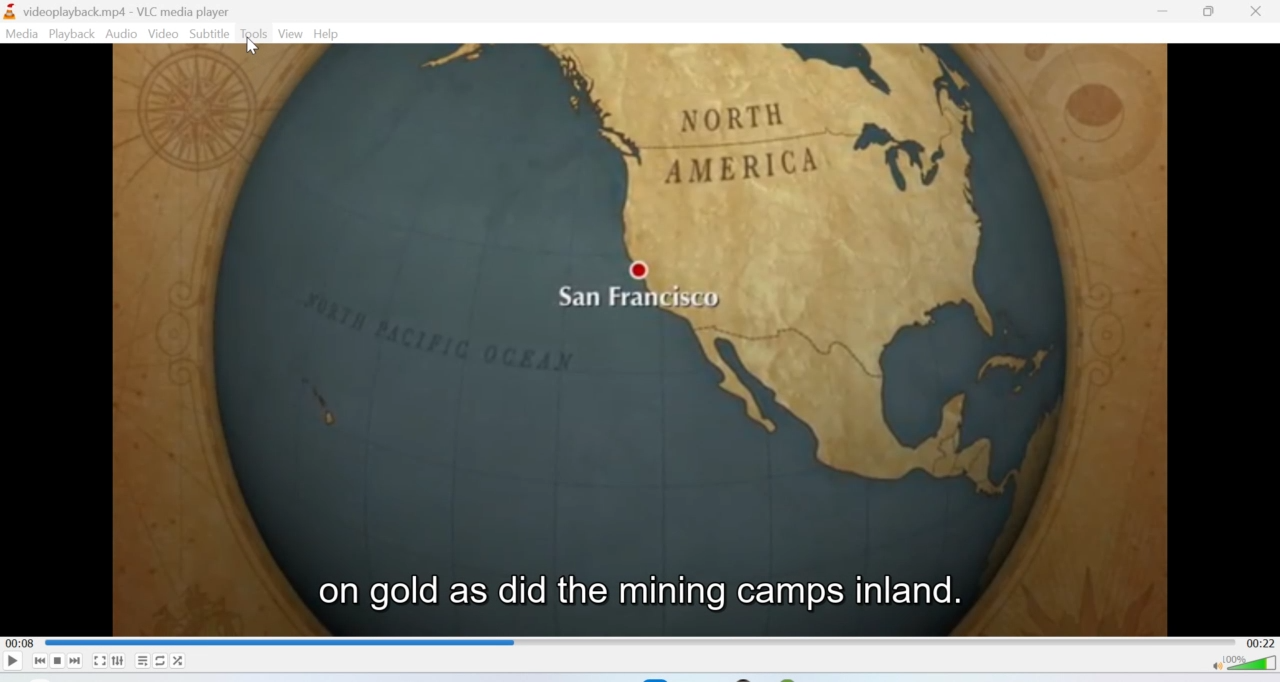 This screenshot has height=682, width=1280. Describe the element at coordinates (254, 33) in the screenshot. I see `Tools` at that location.